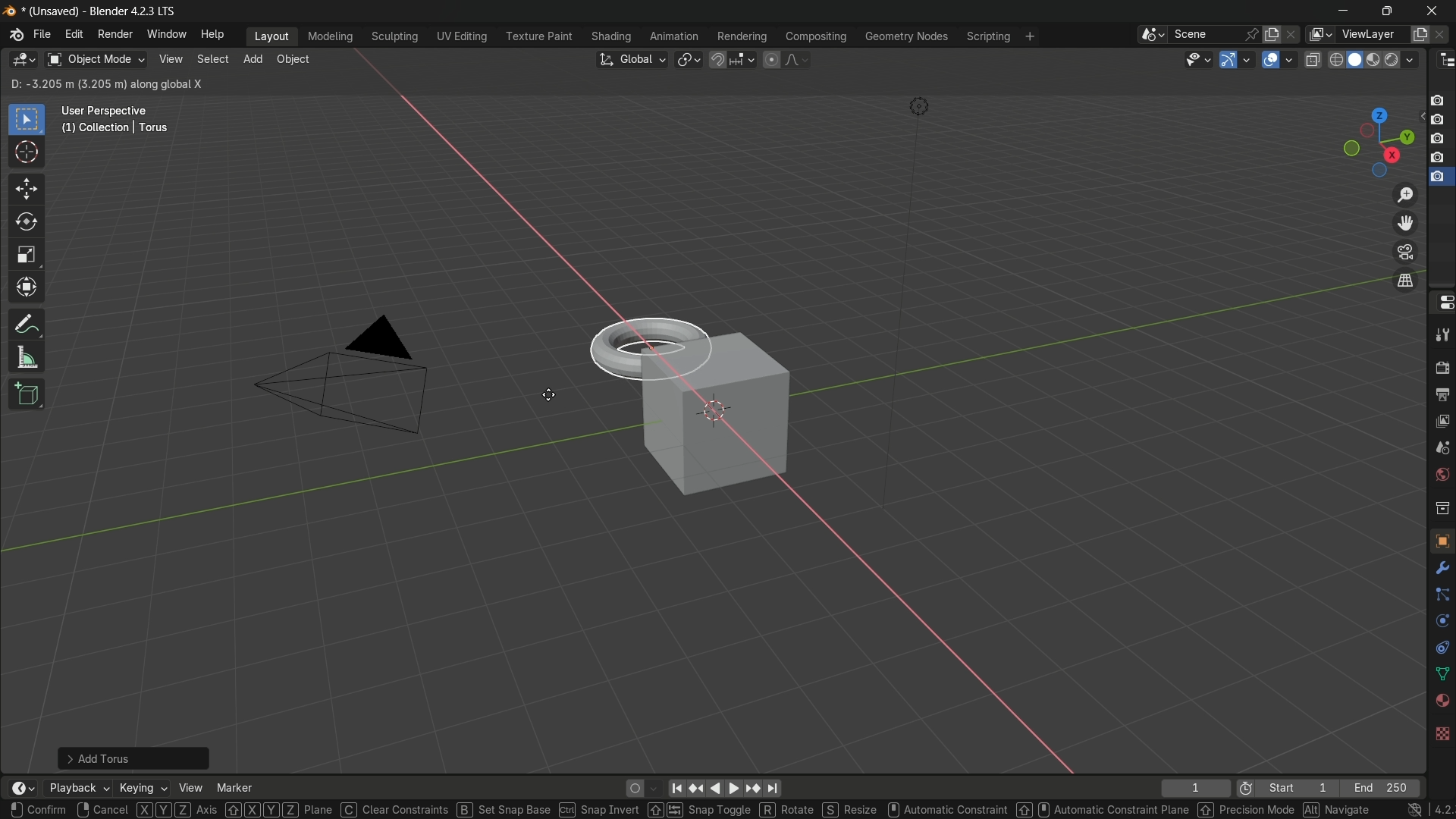 This screenshot has height=819, width=1456. Describe the element at coordinates (1371, 34) in the screenshot. I see `viewLayer` at that location.